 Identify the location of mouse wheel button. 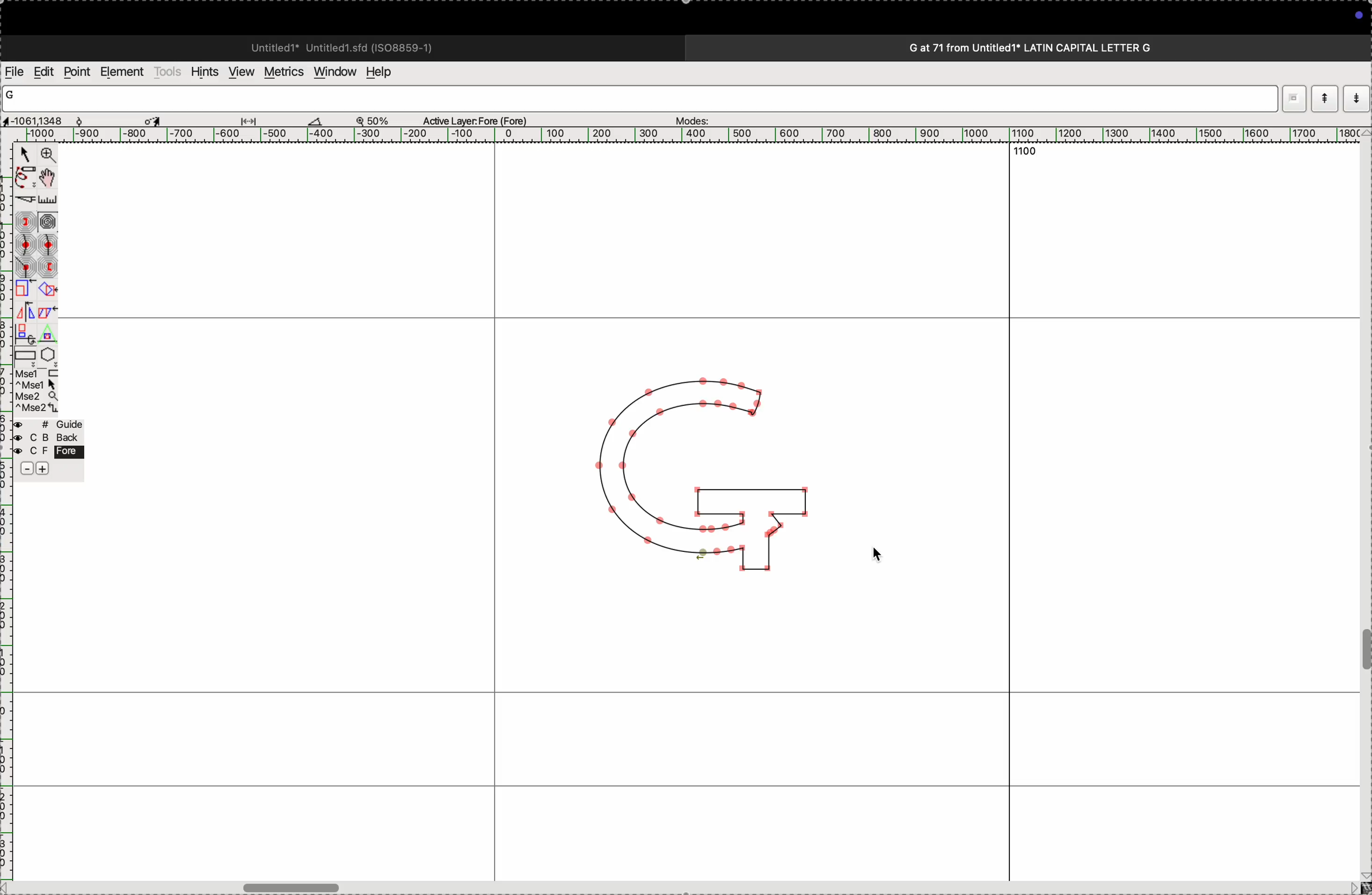
(37, 397).